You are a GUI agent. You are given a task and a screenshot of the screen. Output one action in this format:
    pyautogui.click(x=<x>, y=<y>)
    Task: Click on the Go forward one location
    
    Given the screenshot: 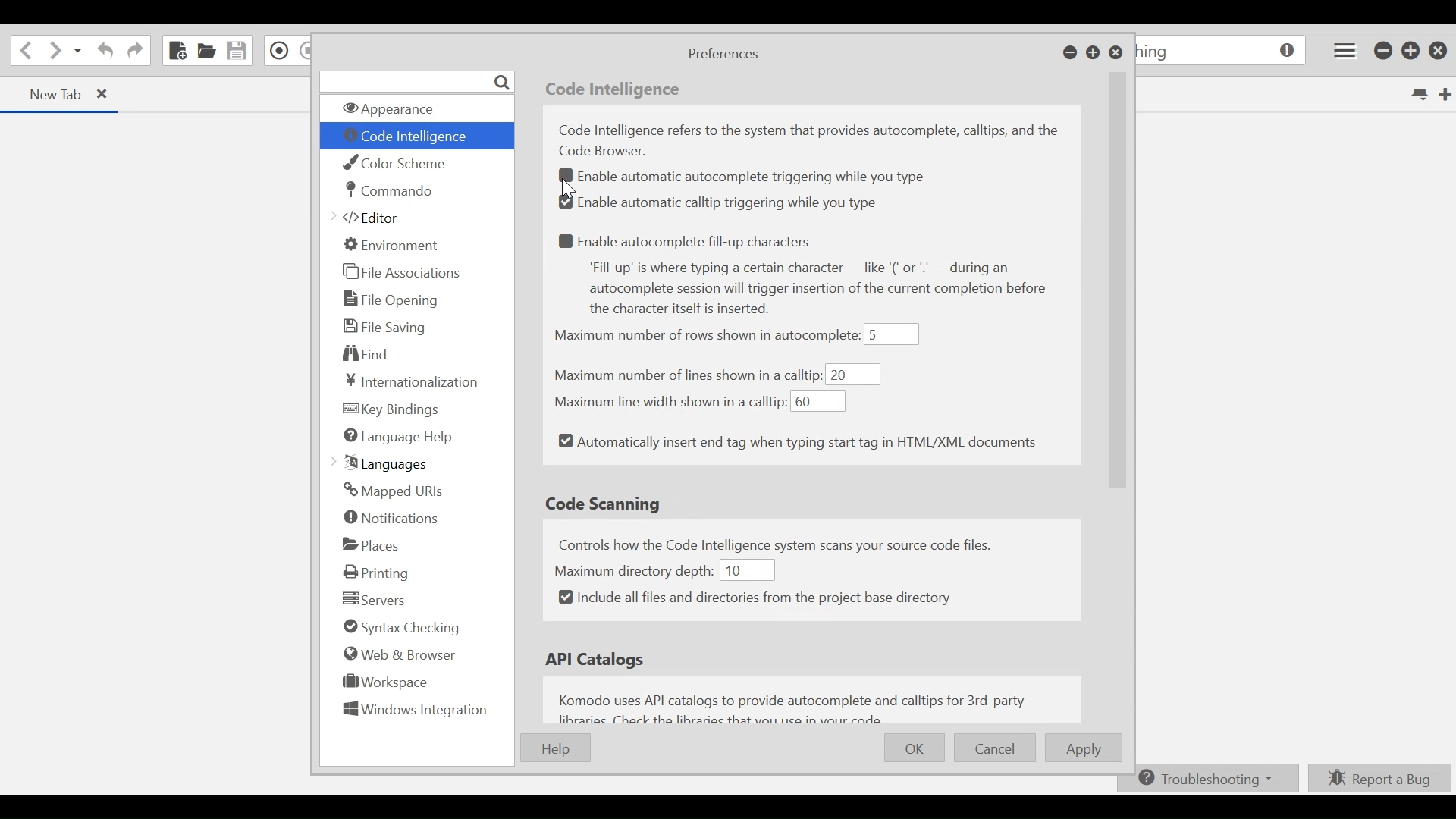 What is the action you would take?
    pyautogui.click(x=54, y=52)
    